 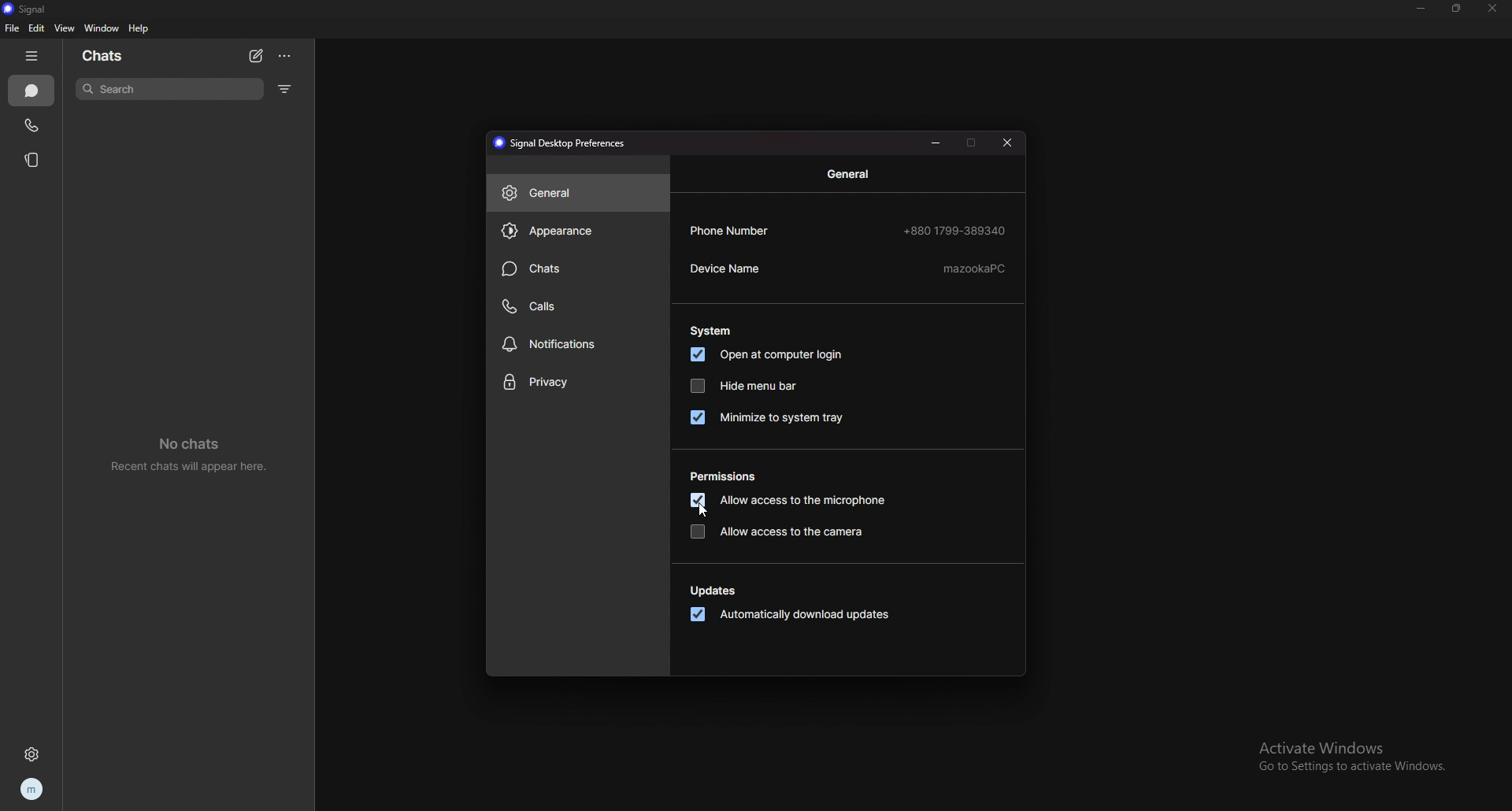 I want to click on help, so click(x=140, y=29).